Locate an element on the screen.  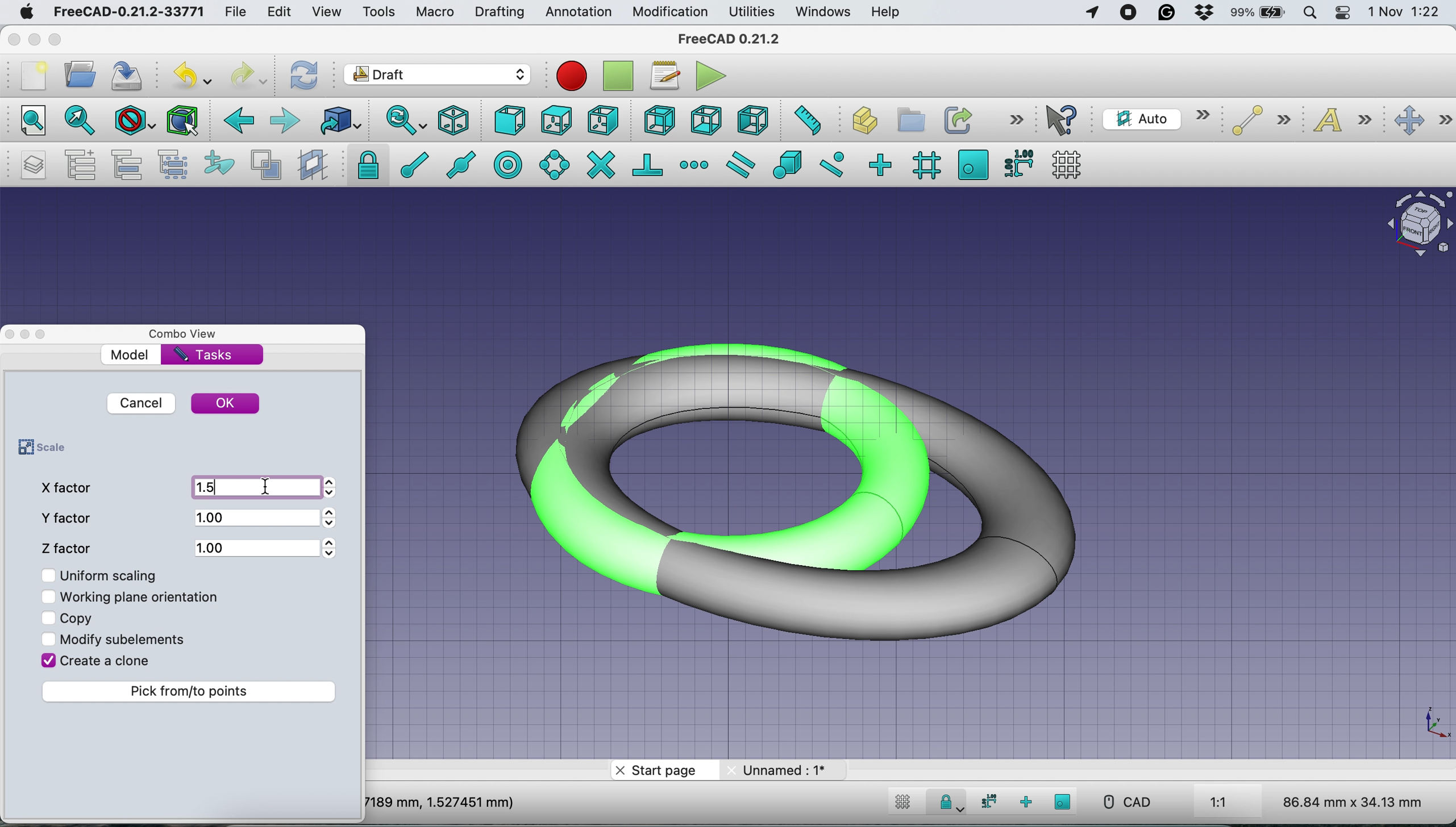
Checkbox is located at coordinates (47, 659).